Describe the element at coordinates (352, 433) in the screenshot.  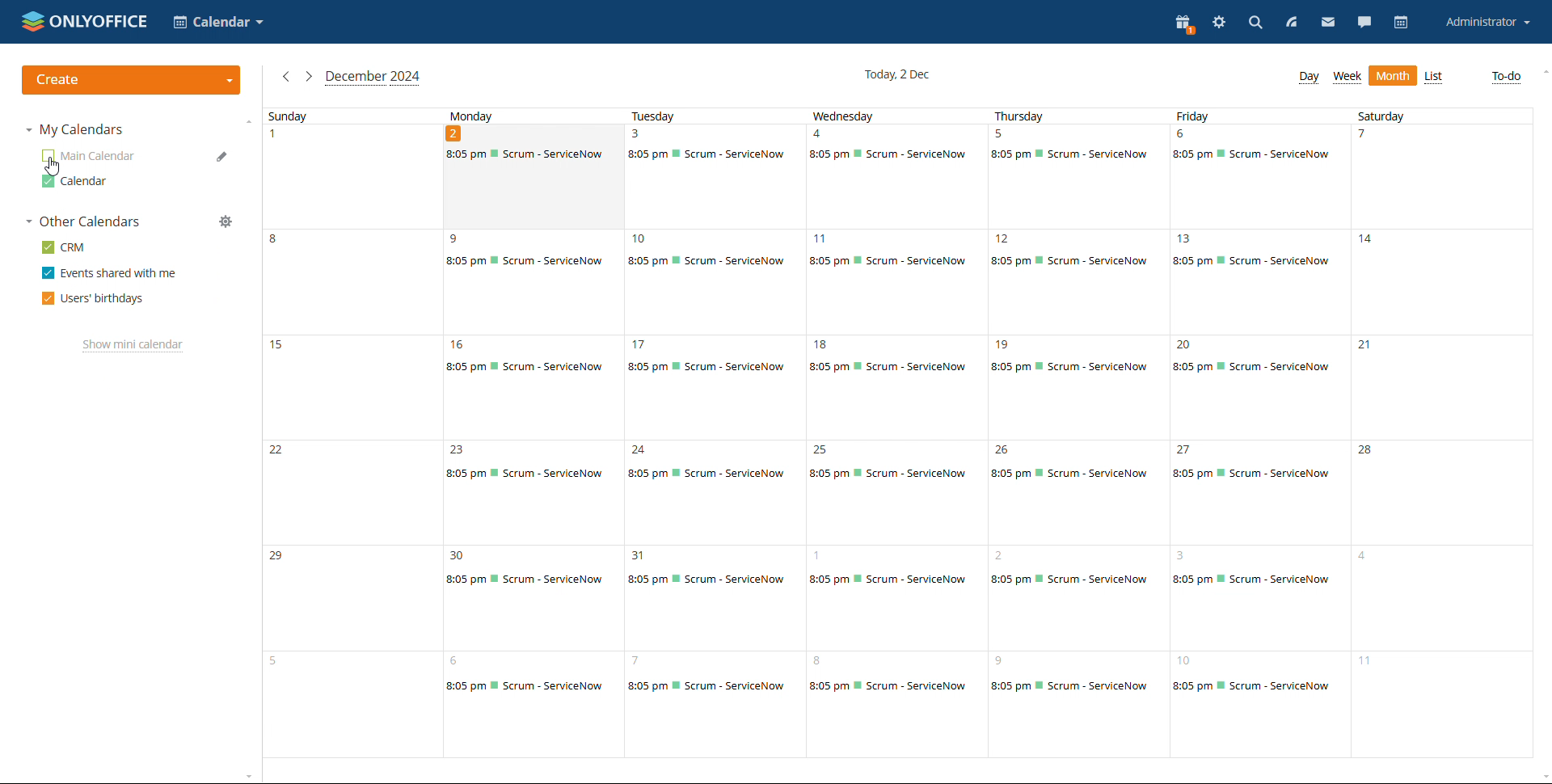
I see `sunday` at that location.